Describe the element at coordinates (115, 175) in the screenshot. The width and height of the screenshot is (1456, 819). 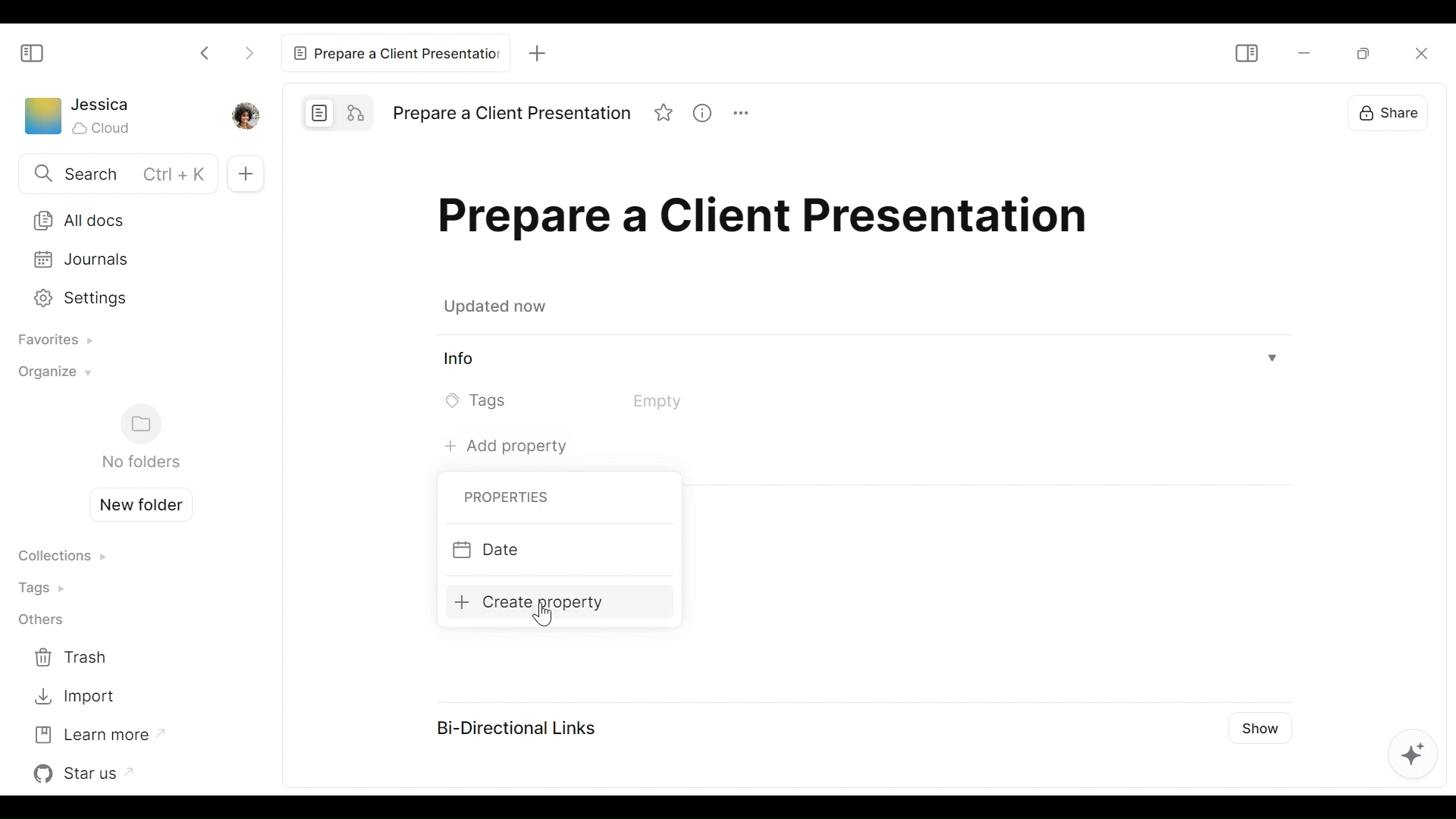
I see `Search` at that location.